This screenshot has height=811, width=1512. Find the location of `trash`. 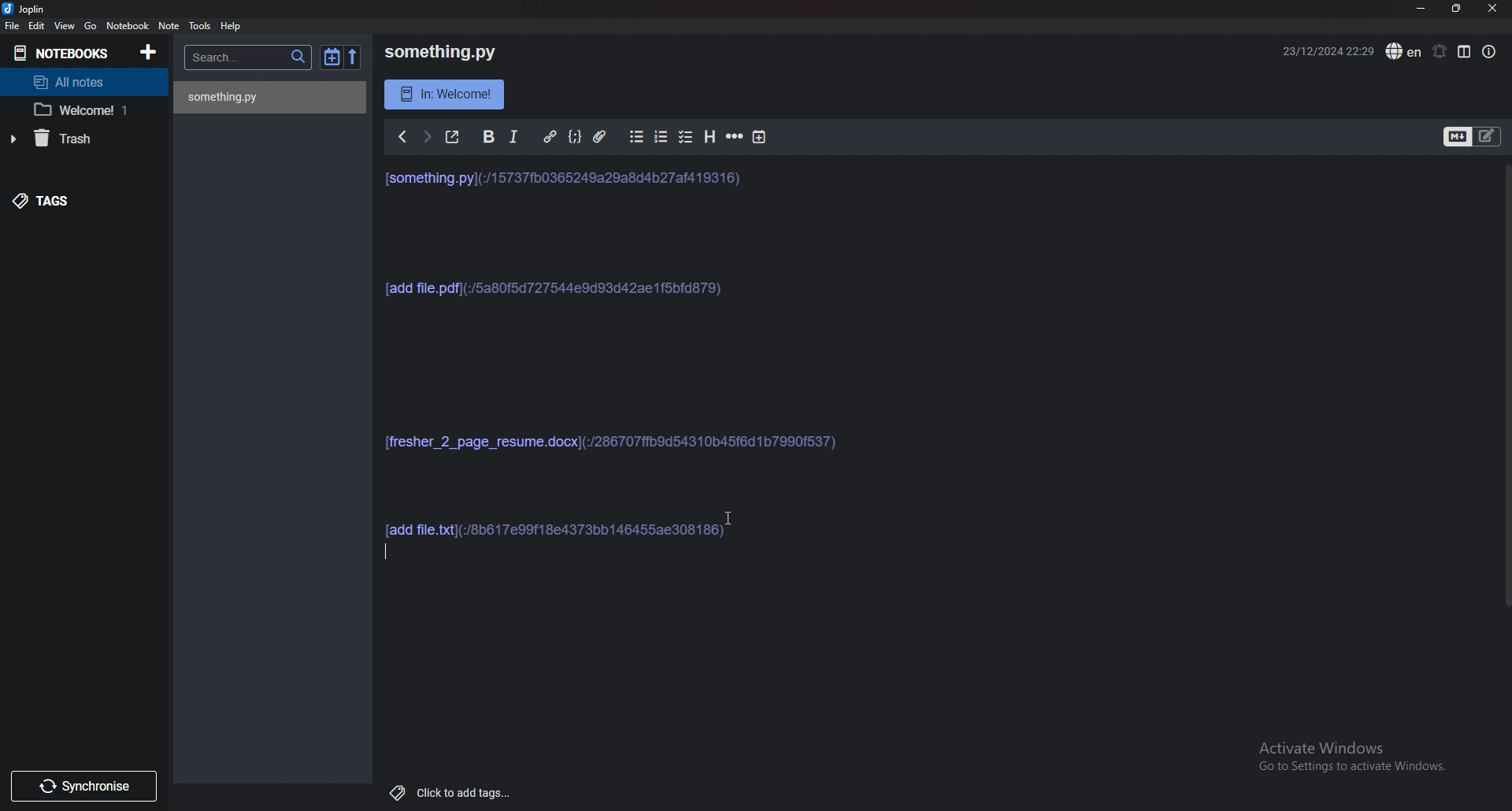

trash is located at coordinates (62, 140).